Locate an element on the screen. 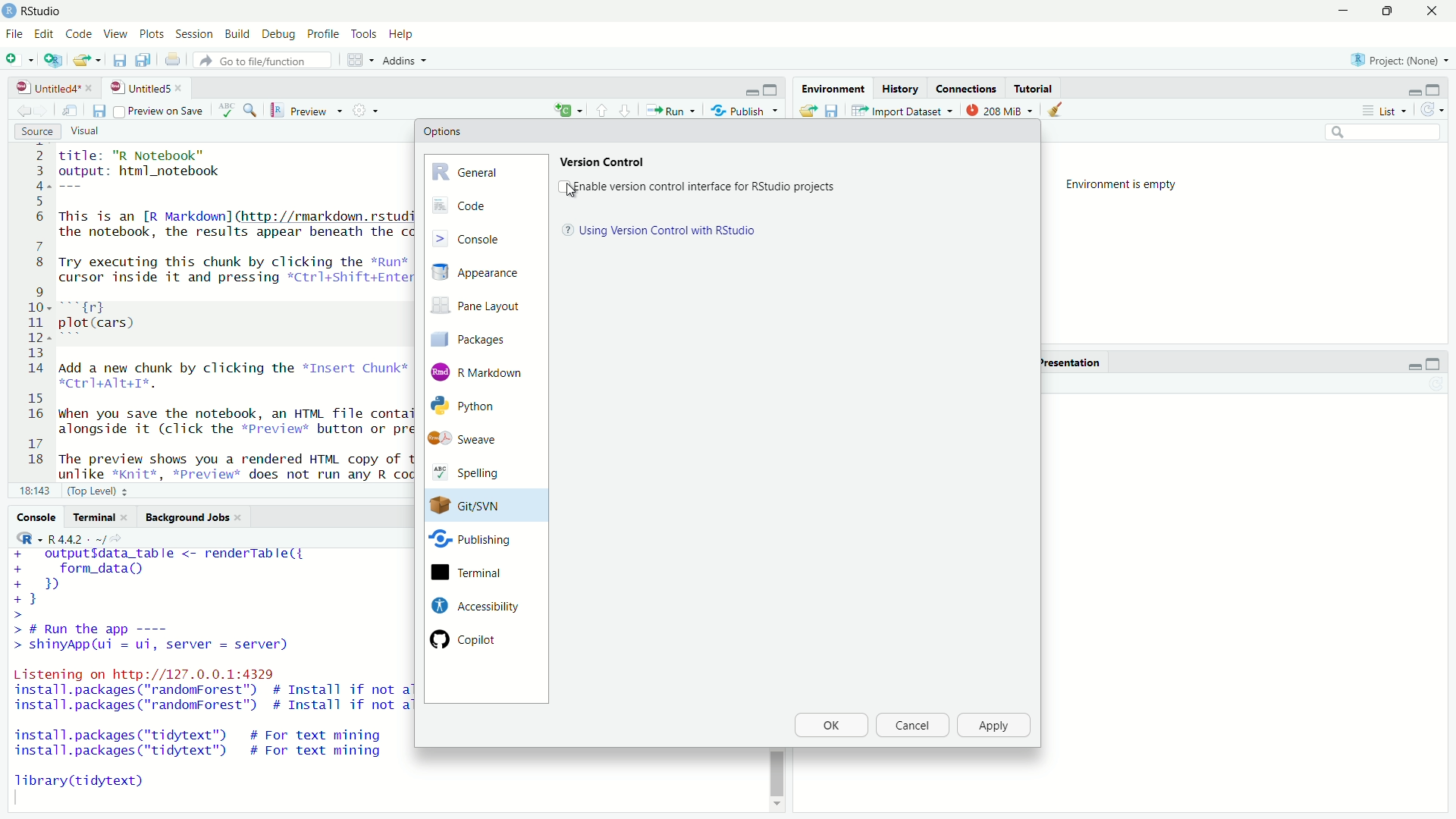 This screenshot has height=819, width=1456. maximize is located at coordinates (773, 90).